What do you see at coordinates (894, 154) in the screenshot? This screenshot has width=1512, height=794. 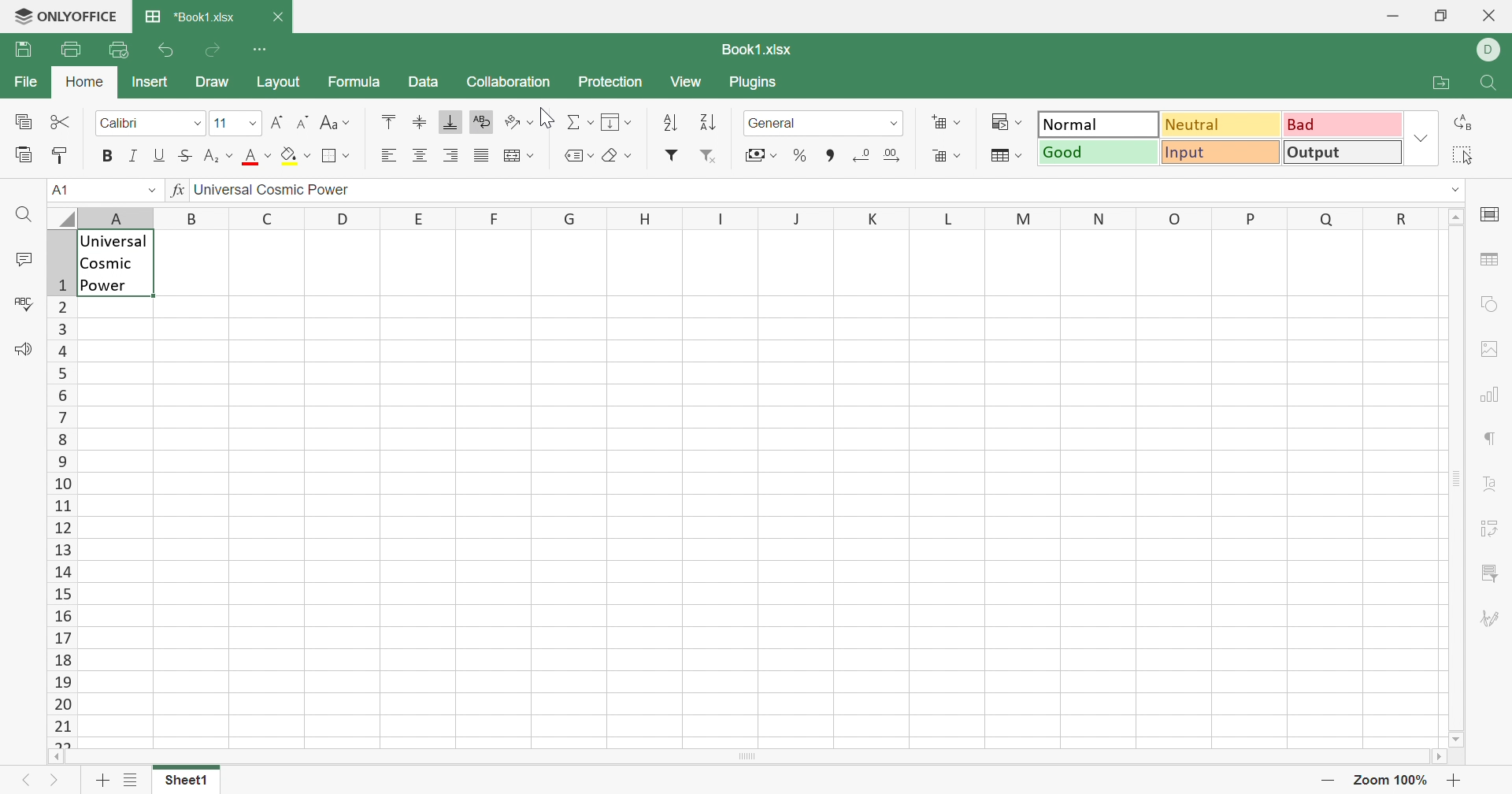 I see `Increase decimal` at bounding box center [894, 154].